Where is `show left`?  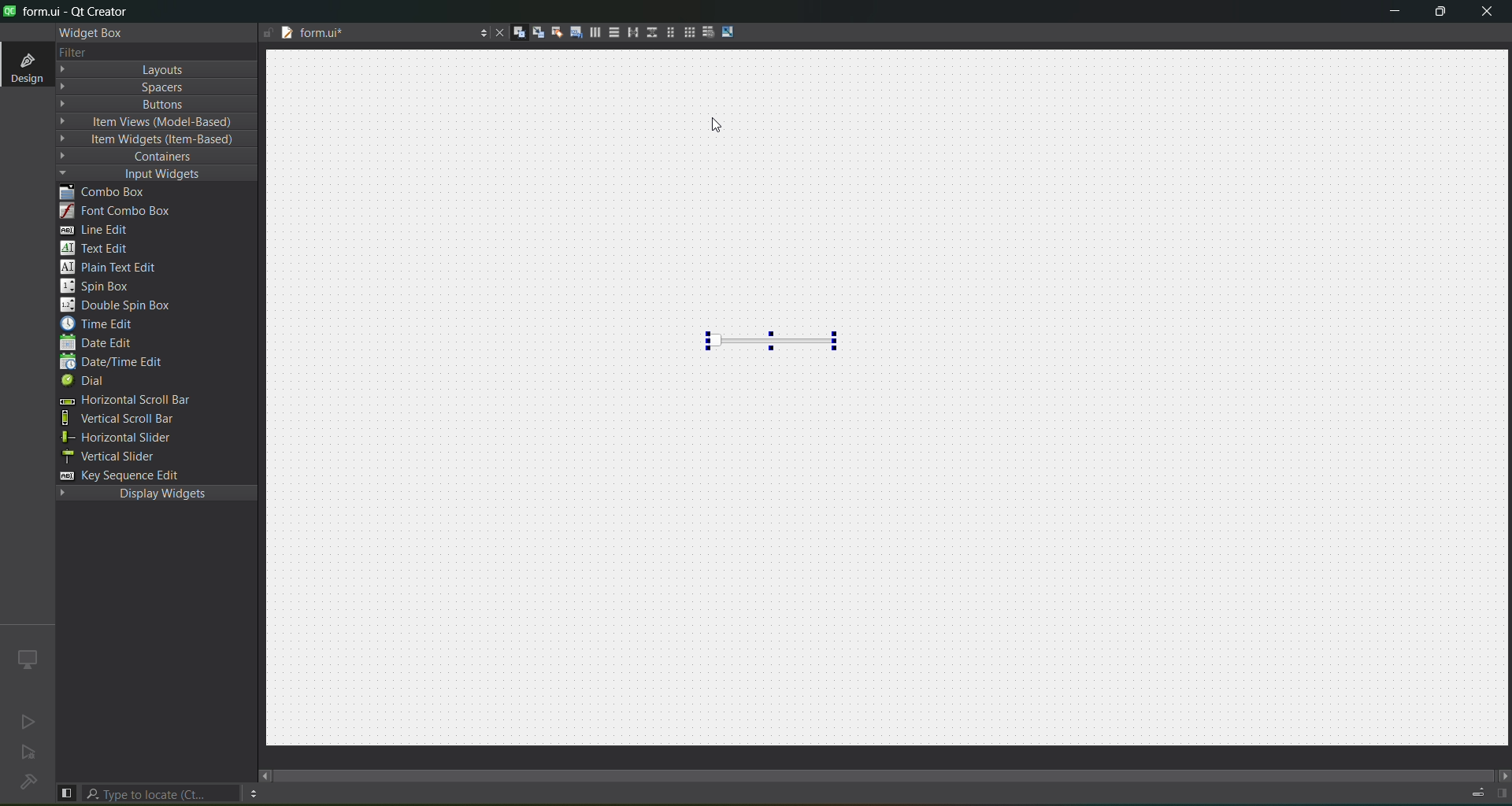
show left is located at coordinates (68, 792).